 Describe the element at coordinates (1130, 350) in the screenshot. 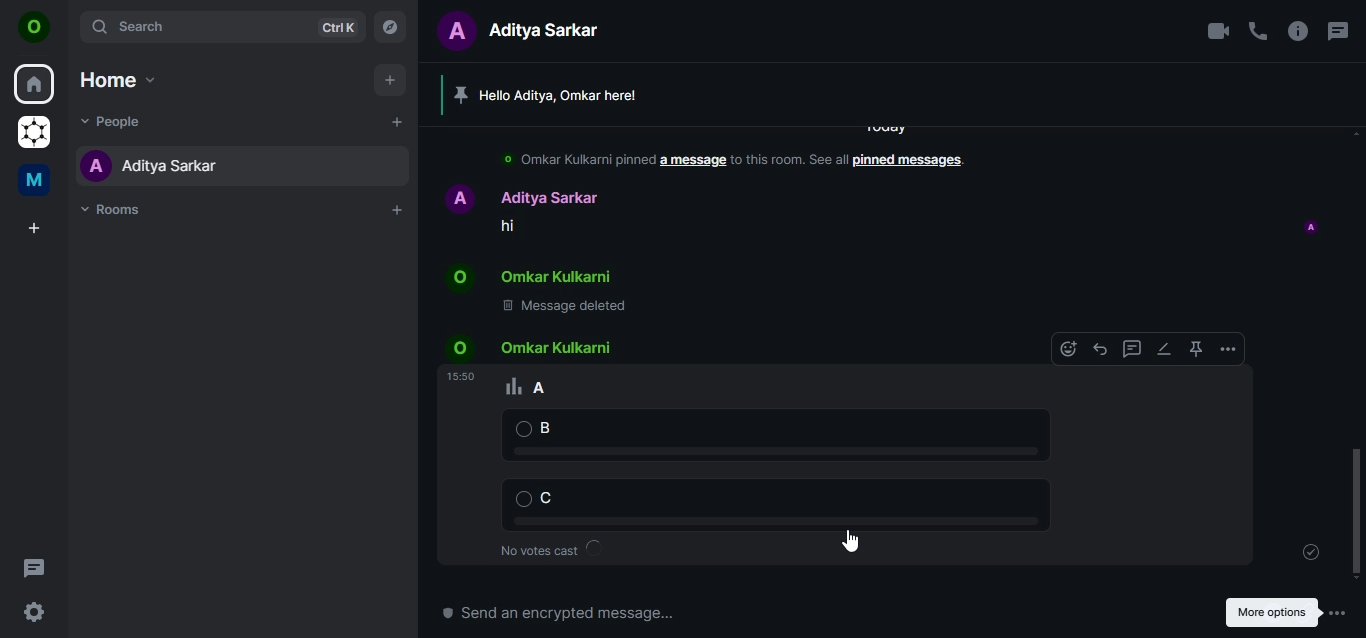

I see `reply in thread` at that location.